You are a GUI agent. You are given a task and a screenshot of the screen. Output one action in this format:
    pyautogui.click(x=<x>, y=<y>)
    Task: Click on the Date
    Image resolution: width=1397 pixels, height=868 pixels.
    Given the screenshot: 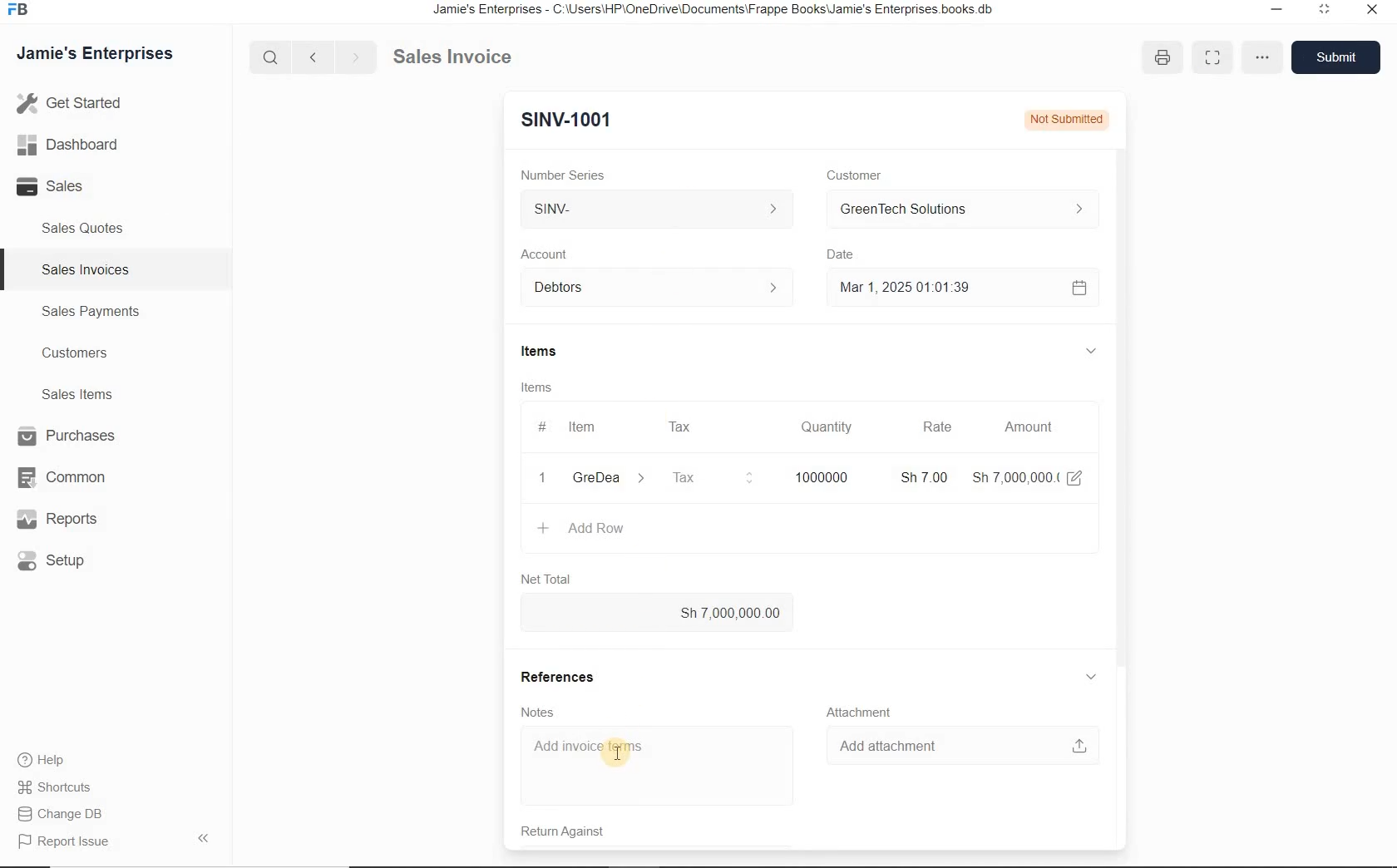 What is the action you would take?
    pyautogui.click(x=842, y=254)
    